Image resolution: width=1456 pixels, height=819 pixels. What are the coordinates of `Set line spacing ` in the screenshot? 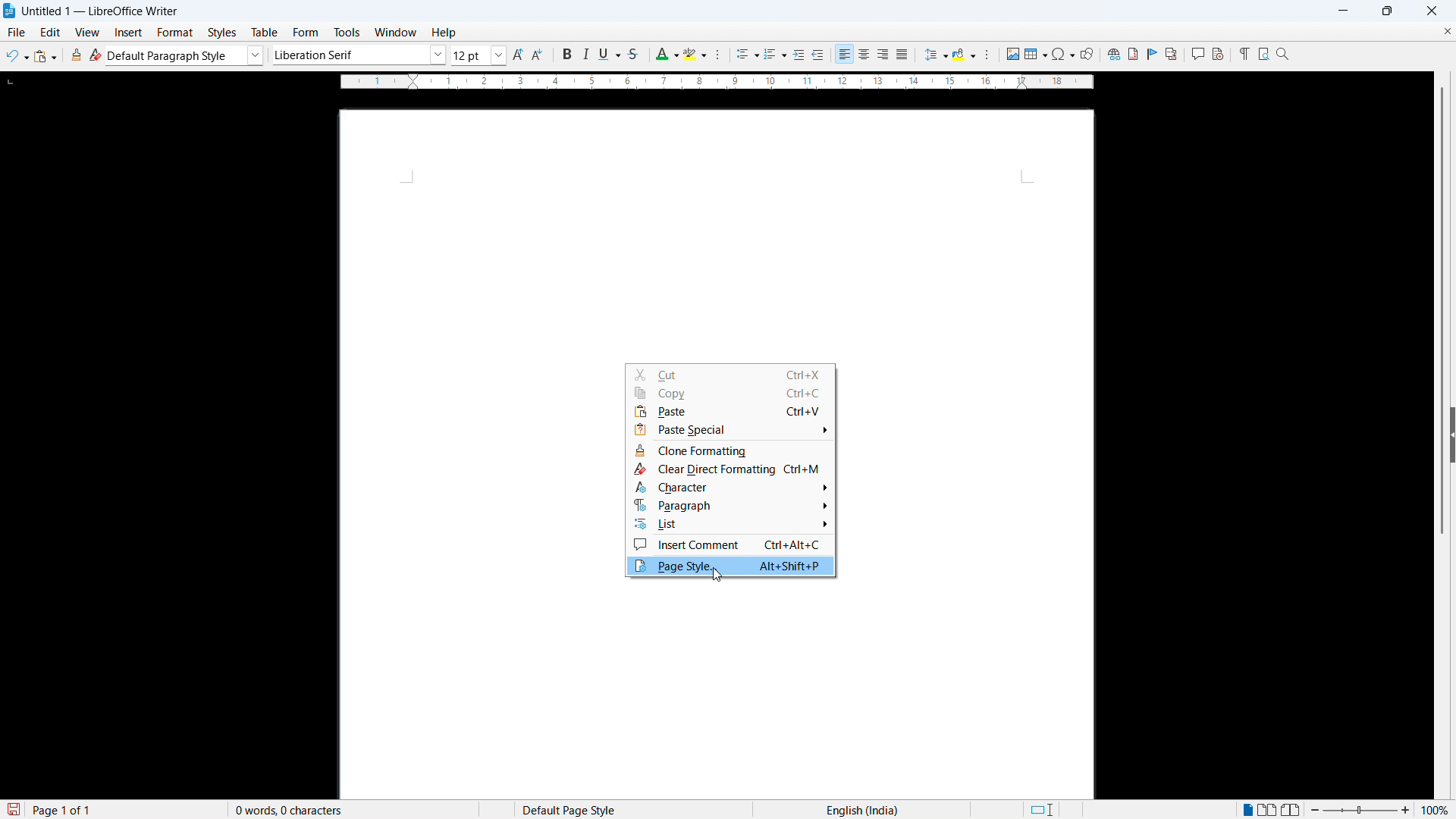 It's located at (935, 55).